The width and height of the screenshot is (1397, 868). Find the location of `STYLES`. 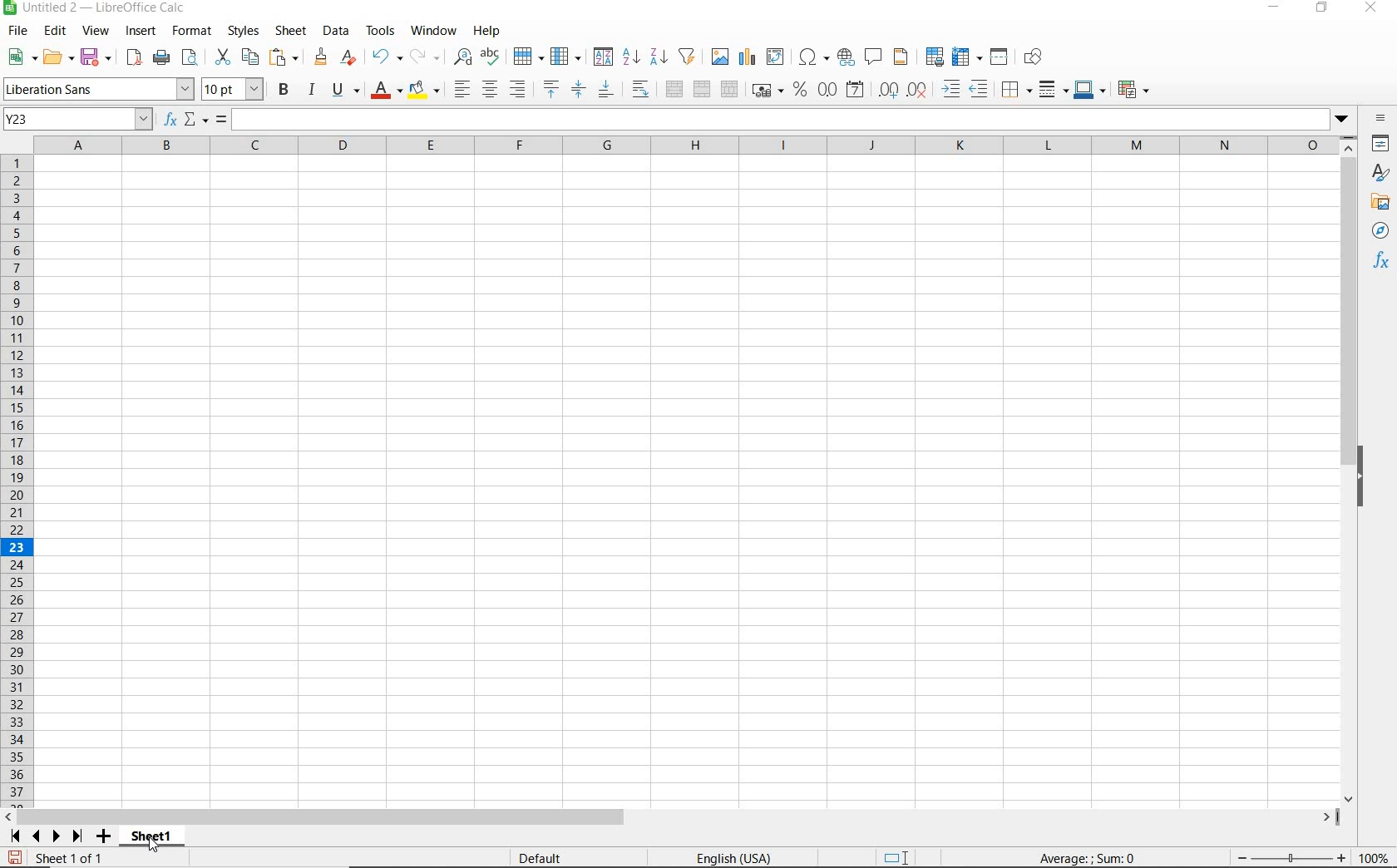

STYLES is located at coordinates (1380, 173).